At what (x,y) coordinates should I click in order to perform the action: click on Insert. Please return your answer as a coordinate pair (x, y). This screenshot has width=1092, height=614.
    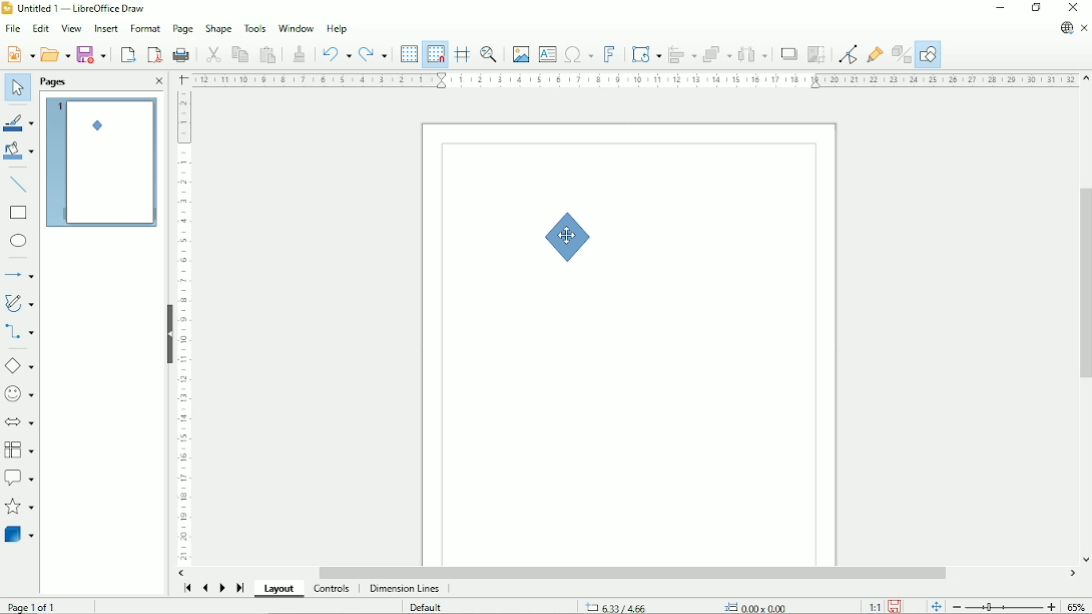
    Looking at the image, I should click on (107, 28).